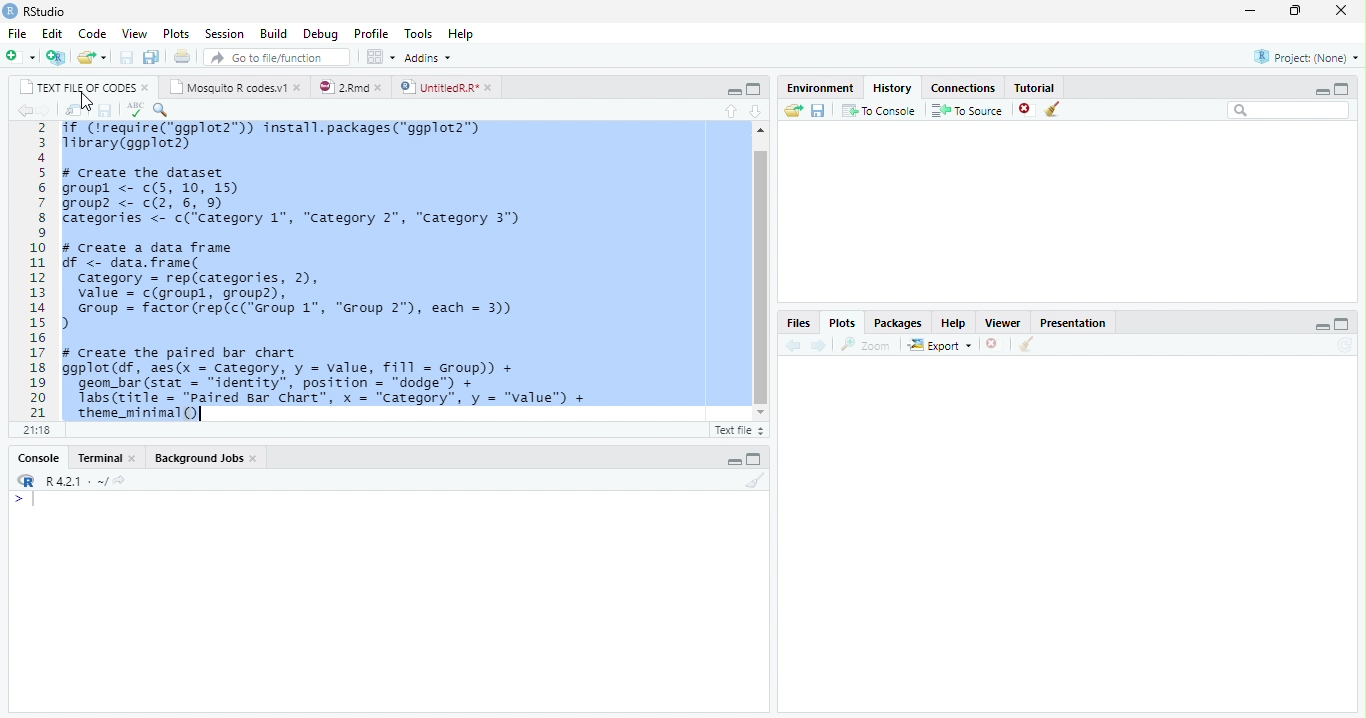  I want to click on file, so click(15, 32).